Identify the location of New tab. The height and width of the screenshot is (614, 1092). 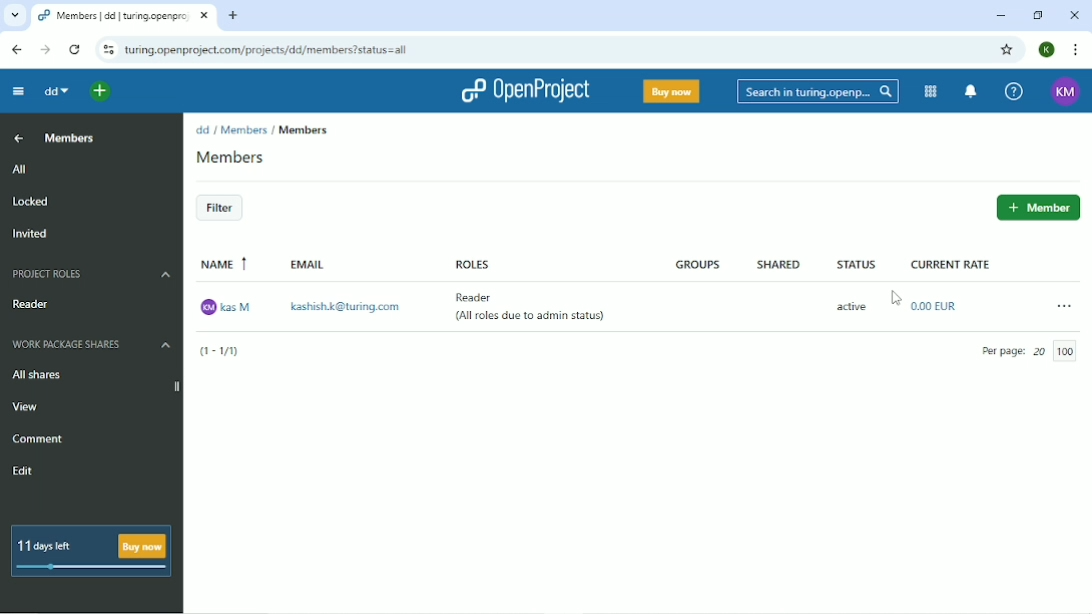
(233, 17).